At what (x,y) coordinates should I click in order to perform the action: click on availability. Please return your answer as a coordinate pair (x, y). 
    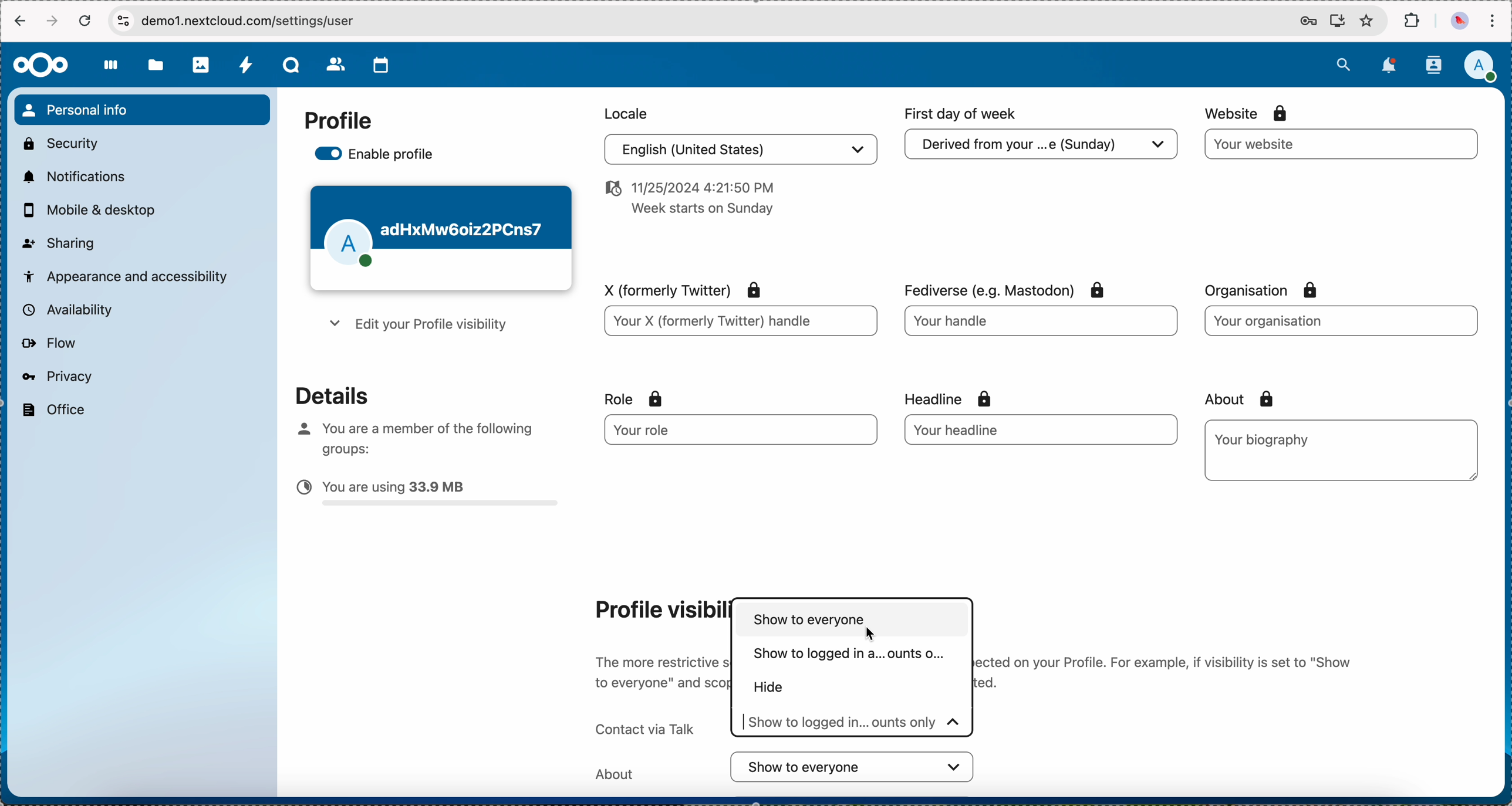
    Looking at the image, I should click on (65, 309).